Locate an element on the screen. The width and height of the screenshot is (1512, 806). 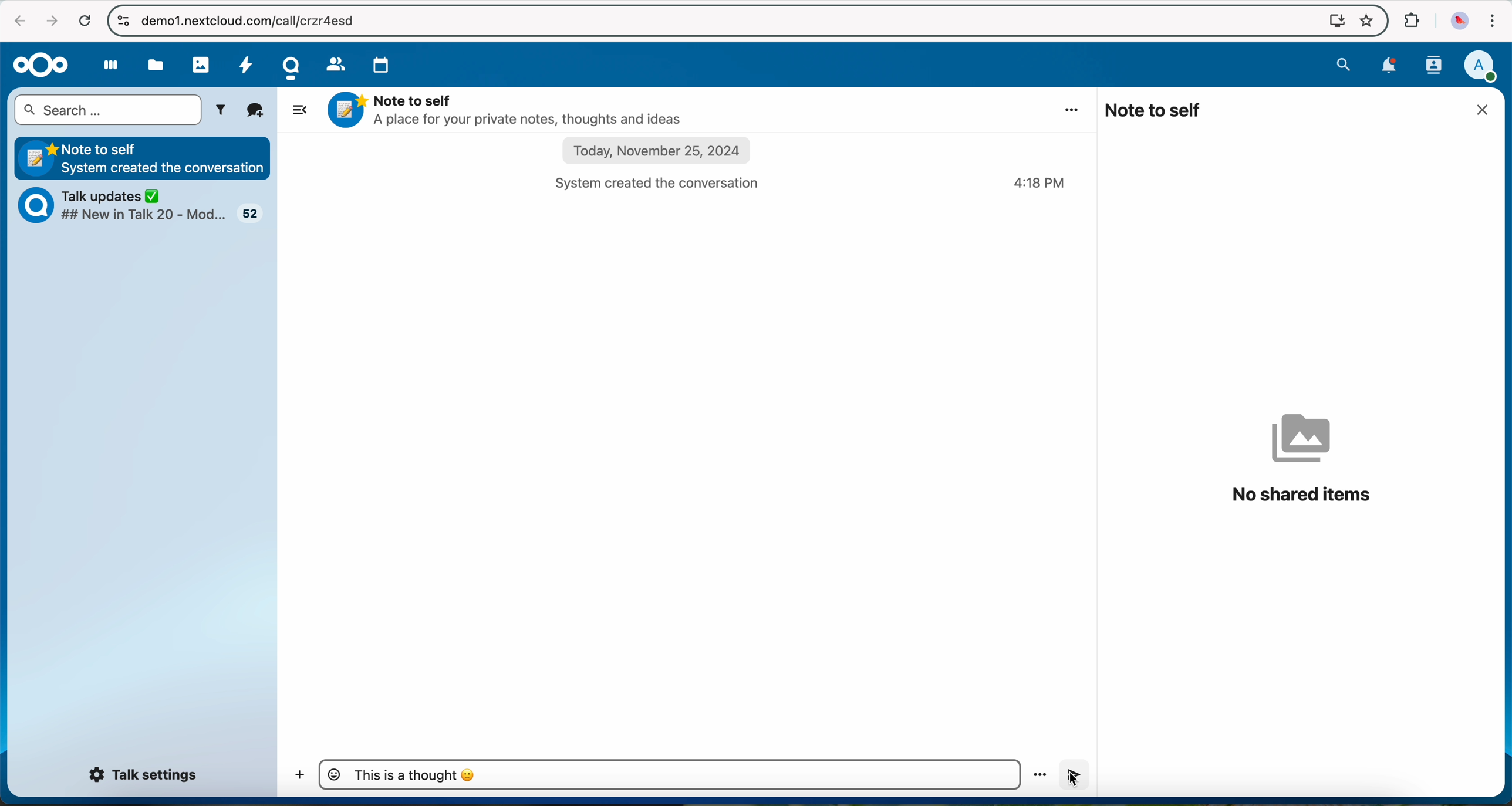
new conversation is located at coordinates (256, 111).